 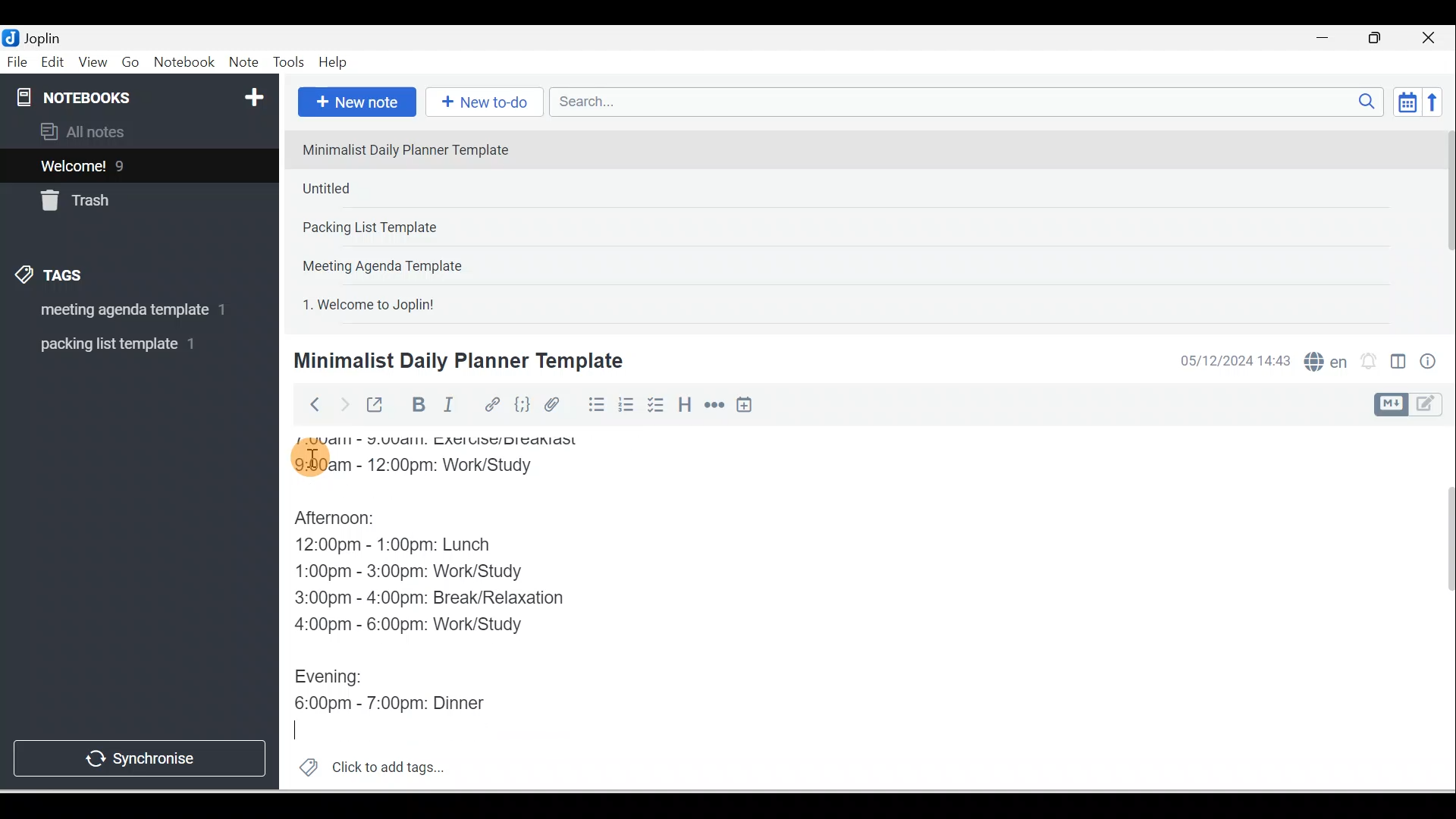 What do you see at coordinates (1437, 102) in the screenshot?
I see `Reverse sort` at bounding box center [1437, 102].